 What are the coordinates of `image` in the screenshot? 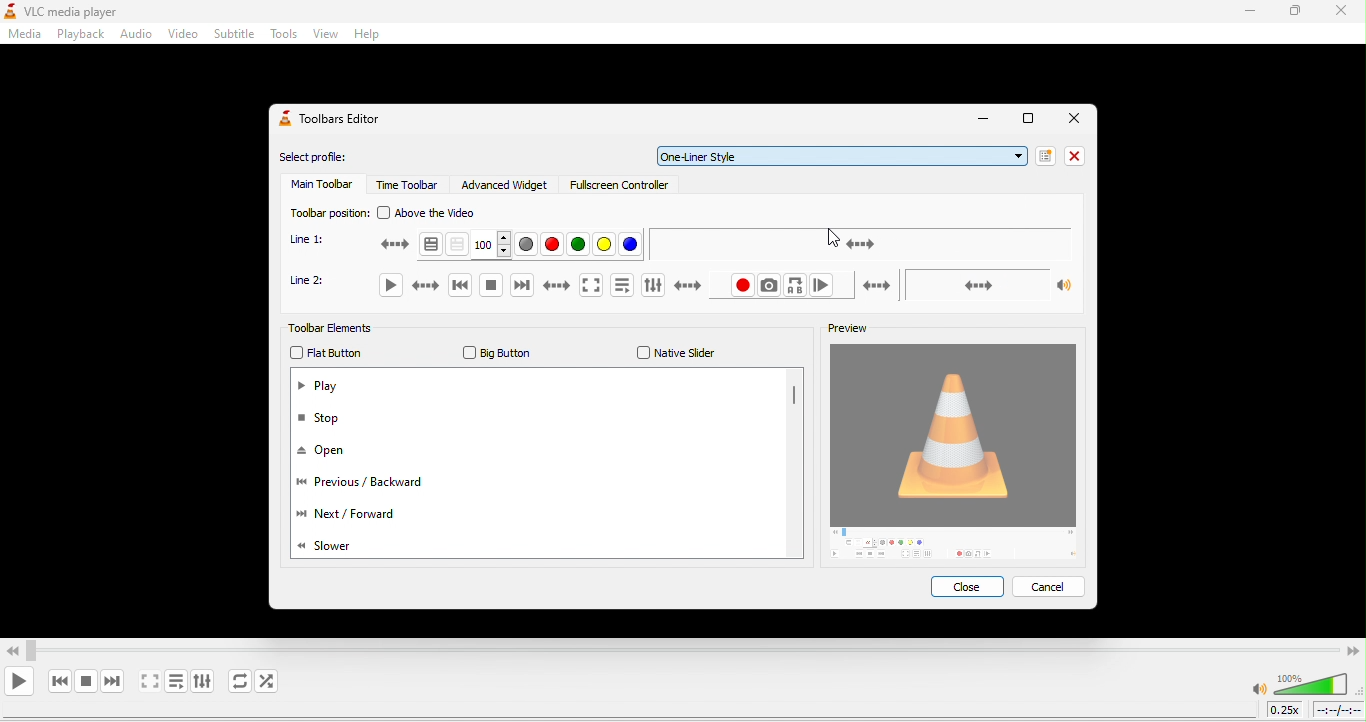 It's located at (954, 452).